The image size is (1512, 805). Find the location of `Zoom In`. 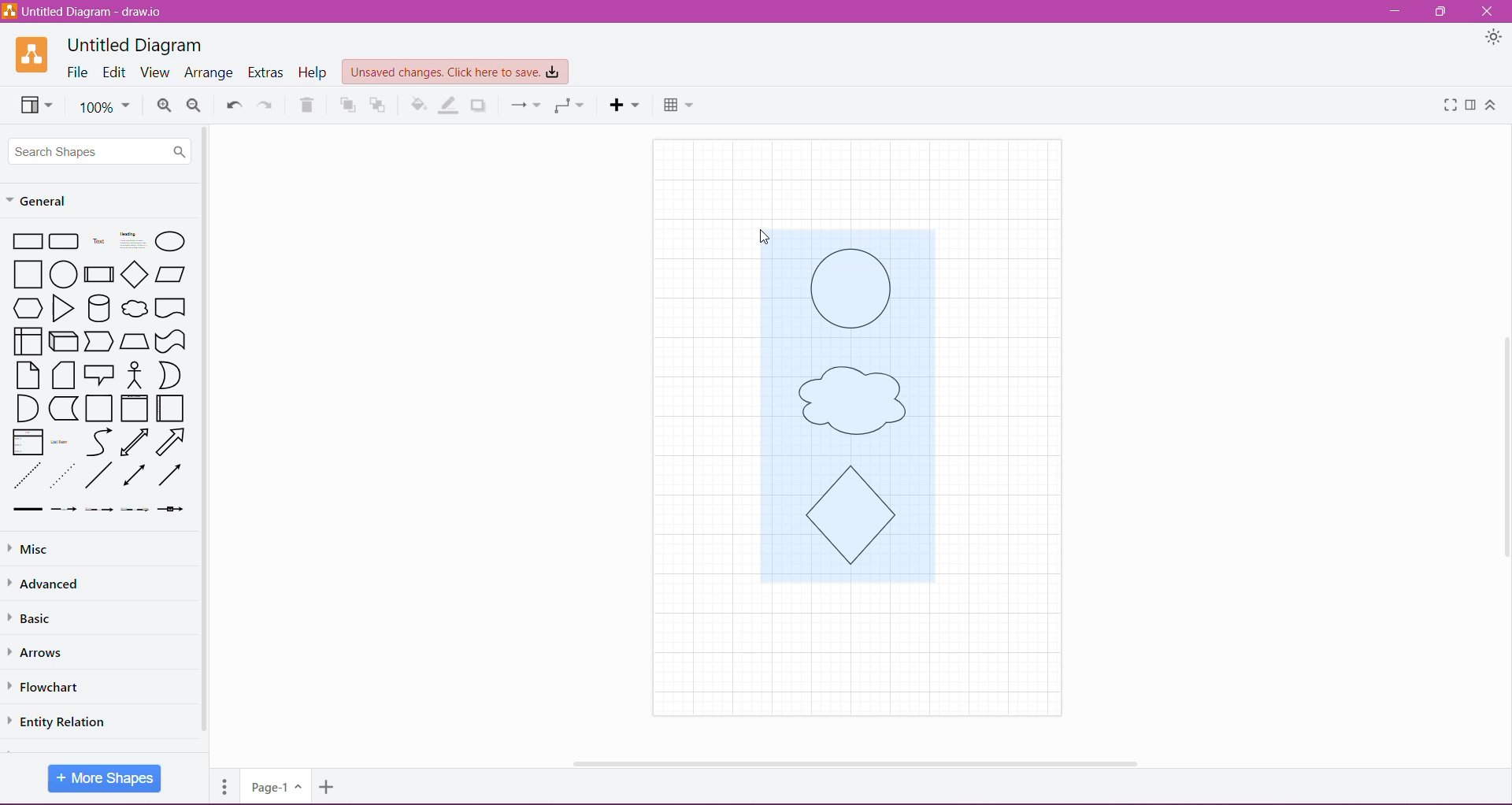

Zoom In is located at coordinates (164, 106).